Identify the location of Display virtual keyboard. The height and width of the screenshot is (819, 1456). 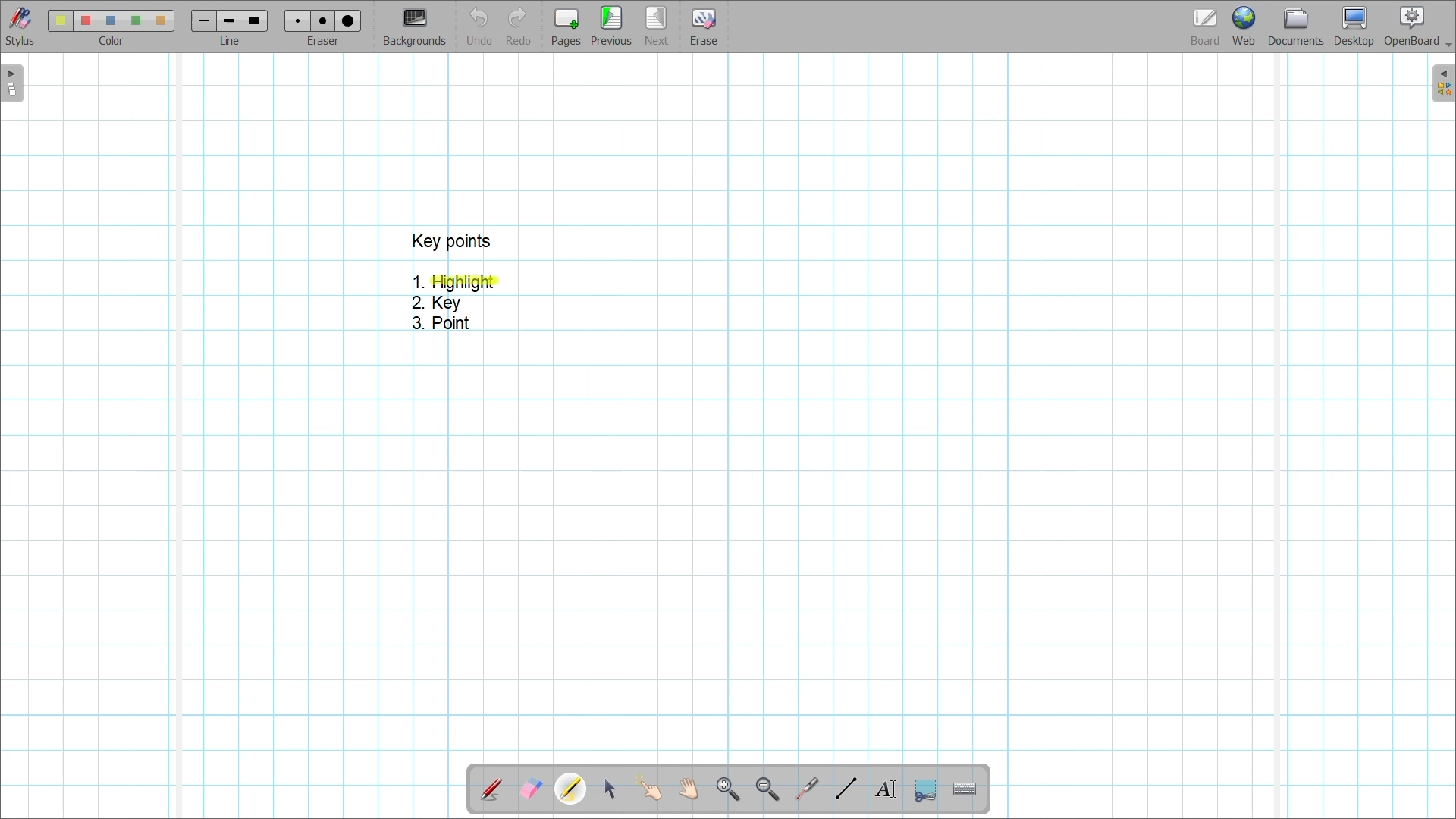
(965, 789).